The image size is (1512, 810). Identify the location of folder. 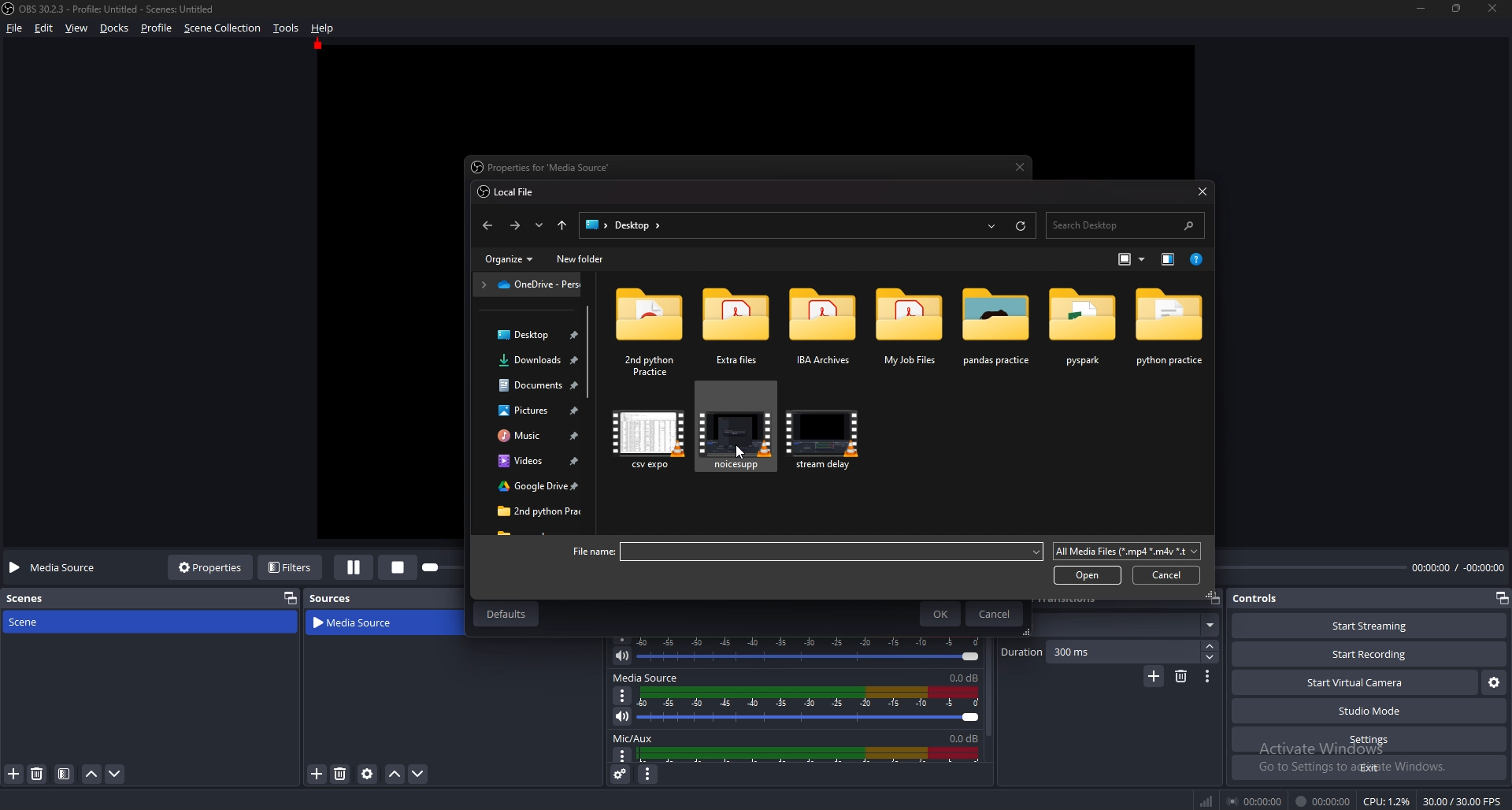
(533, 511).